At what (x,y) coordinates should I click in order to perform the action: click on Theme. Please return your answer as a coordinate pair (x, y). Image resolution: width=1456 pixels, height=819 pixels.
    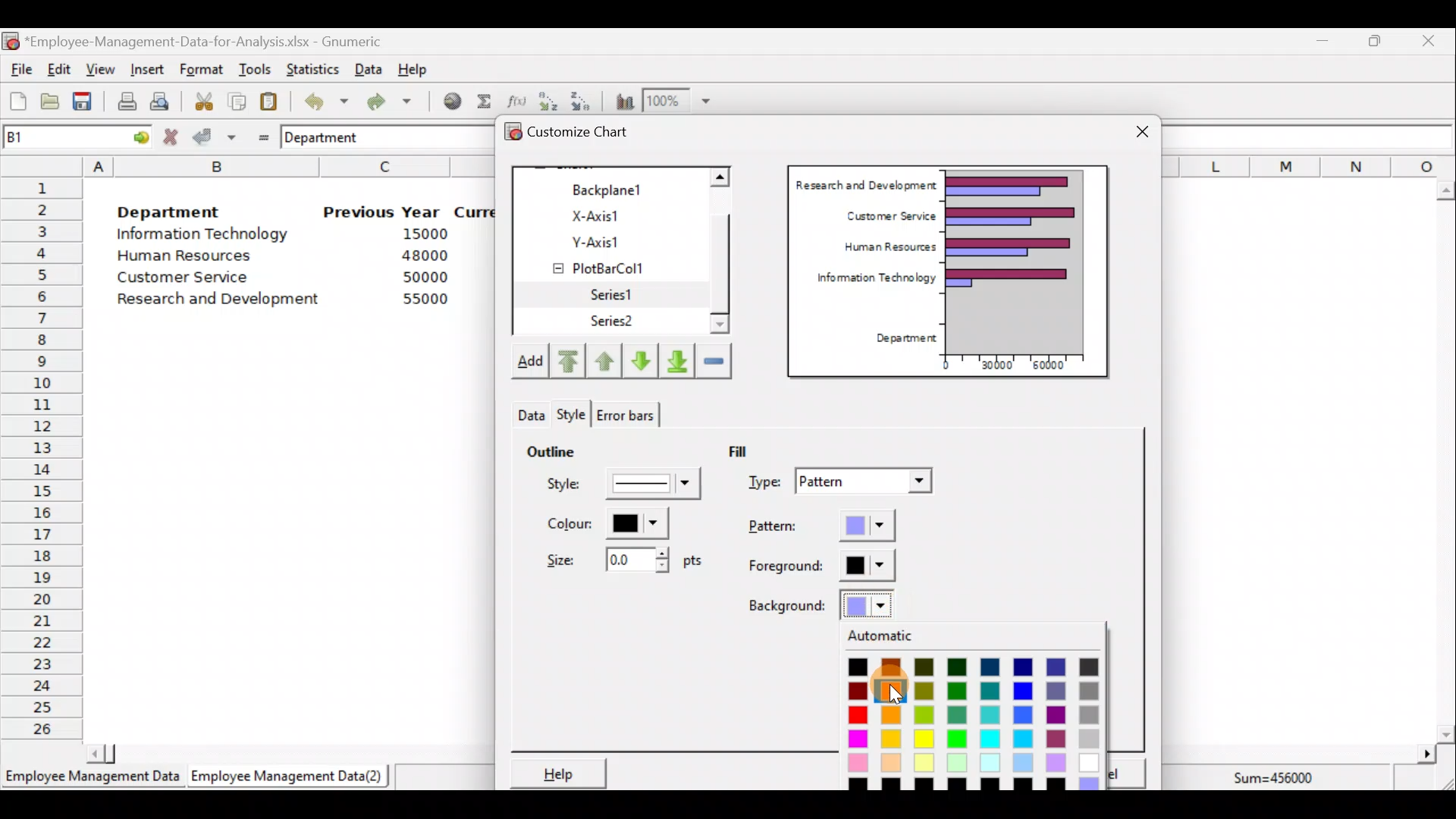
    Looking at the image, I should click on (576, 415).